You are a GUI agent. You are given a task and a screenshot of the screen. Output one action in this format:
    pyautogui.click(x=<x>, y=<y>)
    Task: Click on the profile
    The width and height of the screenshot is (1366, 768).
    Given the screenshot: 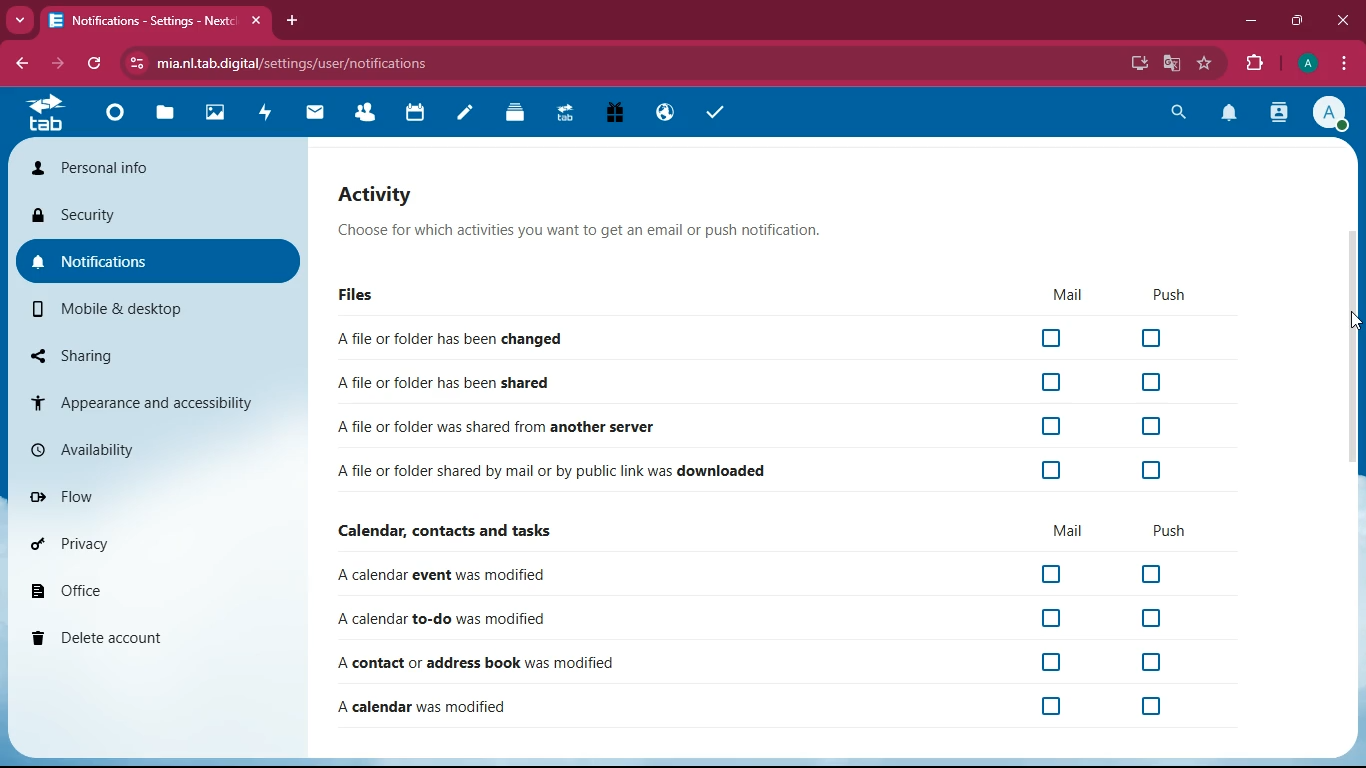 What is the action you would take?
    pyautogui.click(x=1330, y=114)
    